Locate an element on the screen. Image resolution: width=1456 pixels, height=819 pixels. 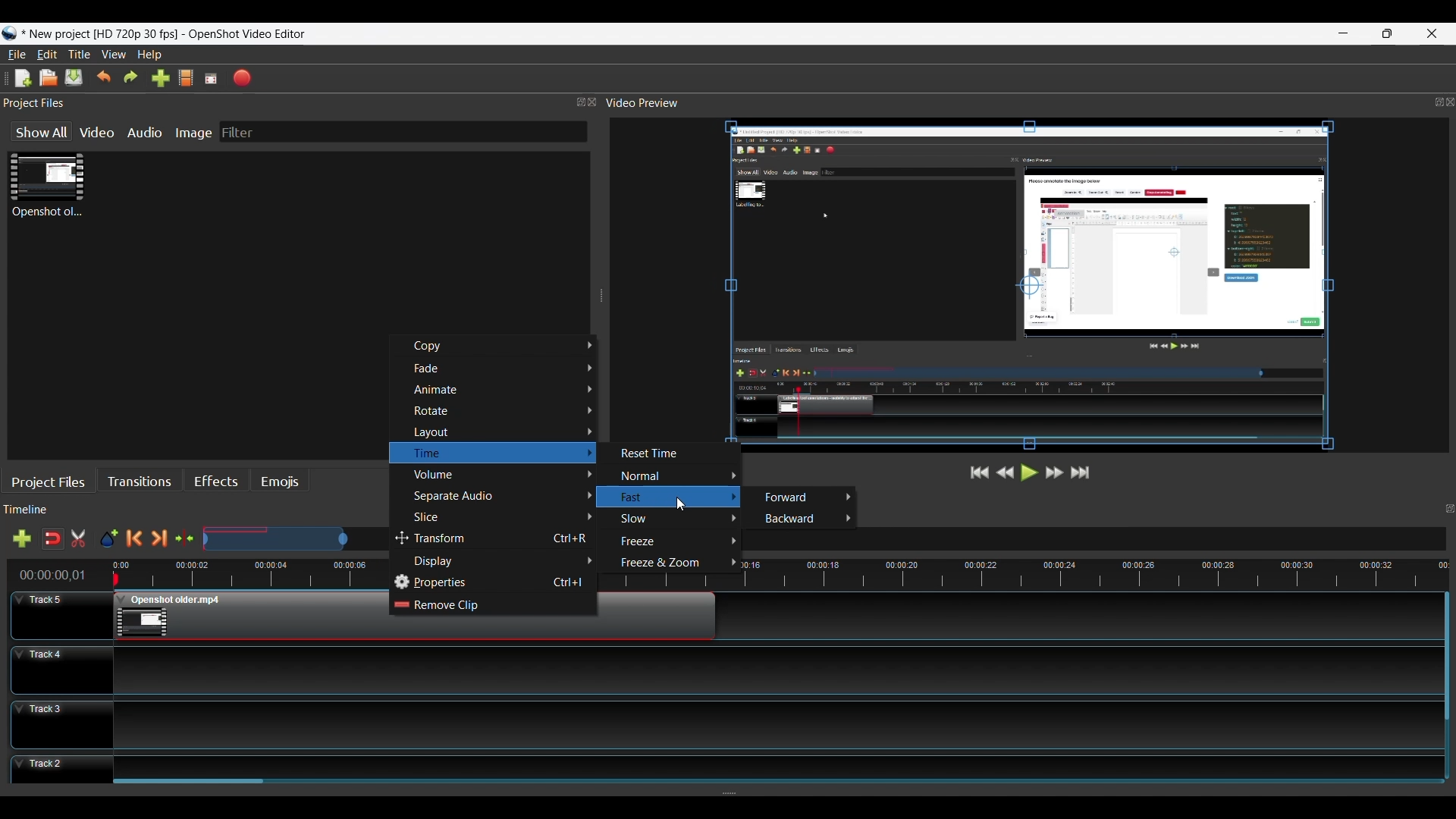
Normal is located at coordinates (676, 476).